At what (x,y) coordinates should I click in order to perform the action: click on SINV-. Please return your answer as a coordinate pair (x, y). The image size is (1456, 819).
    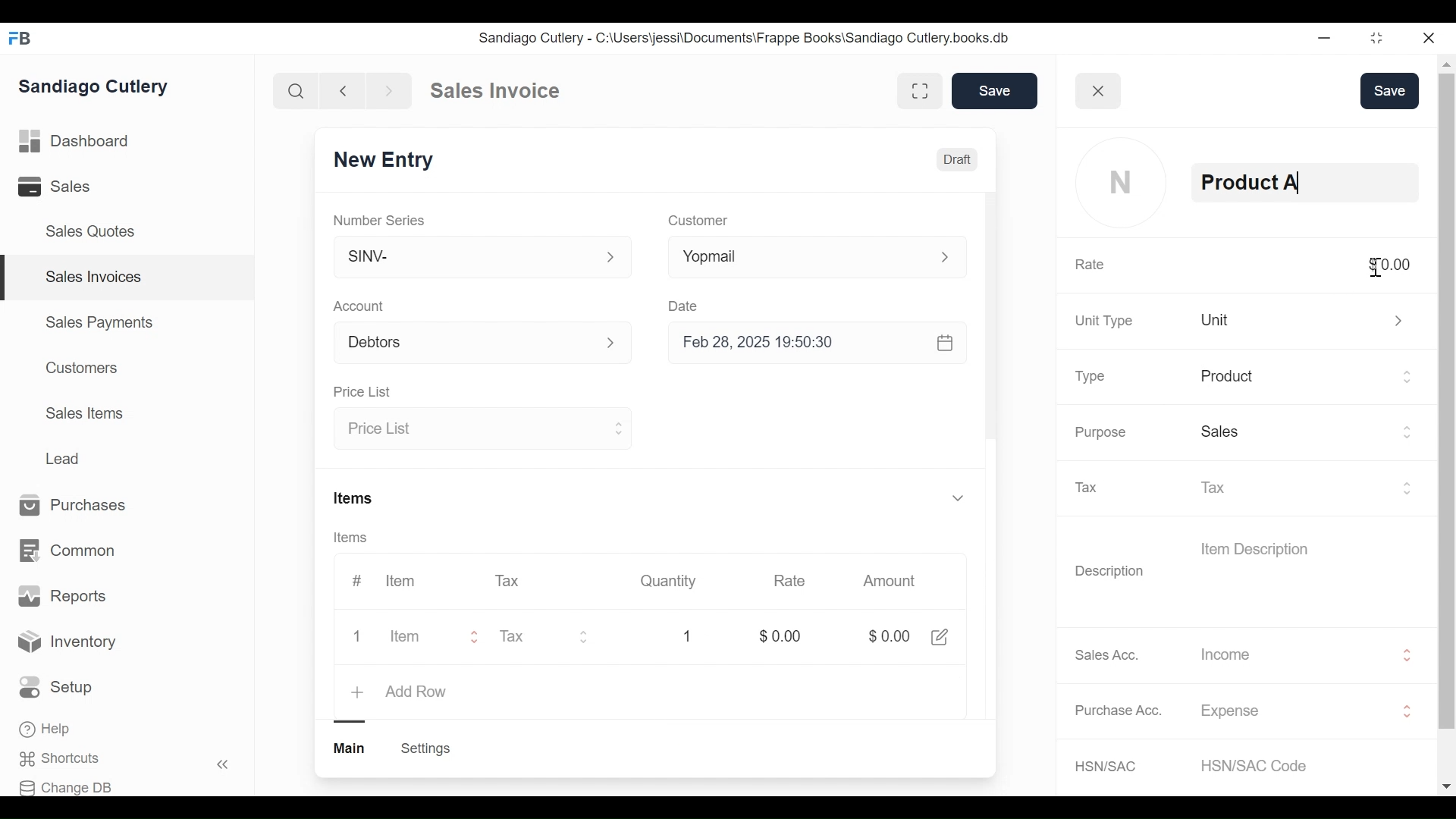
    Looking at the image, I should click on (483, 257).